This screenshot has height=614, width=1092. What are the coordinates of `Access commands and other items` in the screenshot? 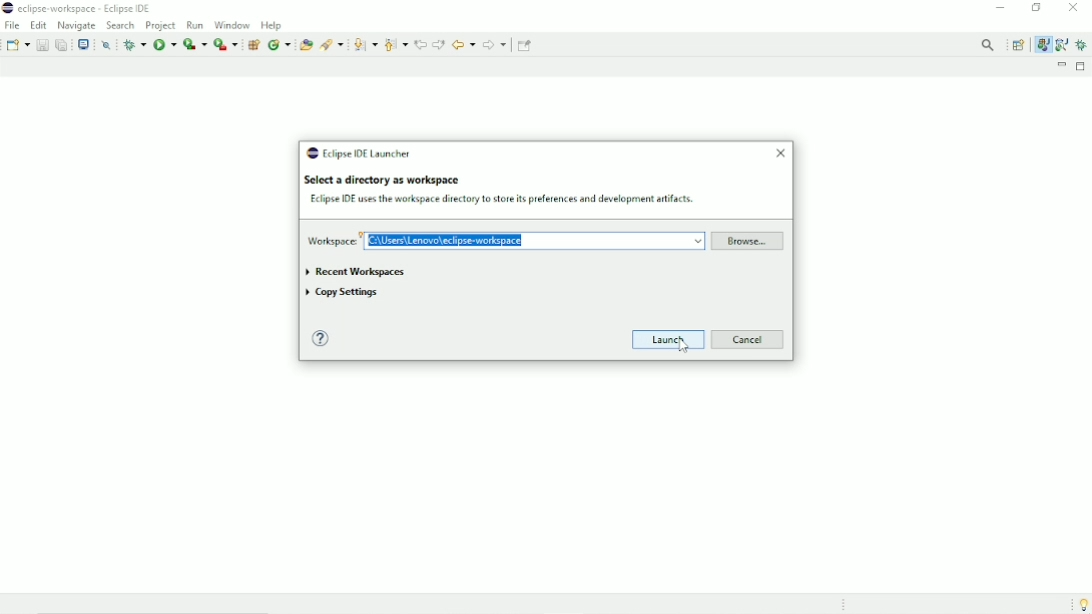 It's located at (990, 45).